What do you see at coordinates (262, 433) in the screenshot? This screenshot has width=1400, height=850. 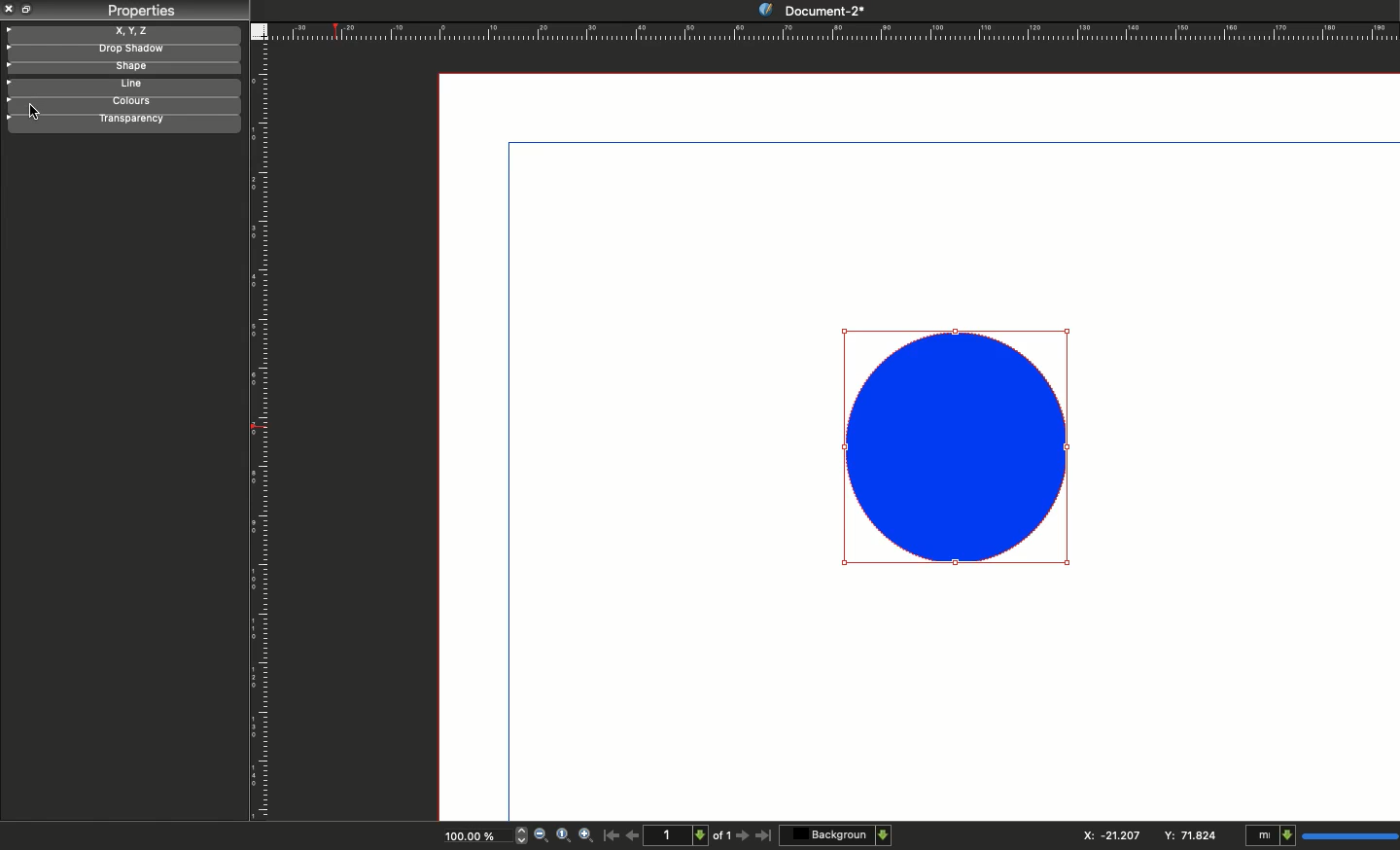 I see `Ruler` at bounding box center [262, 433].